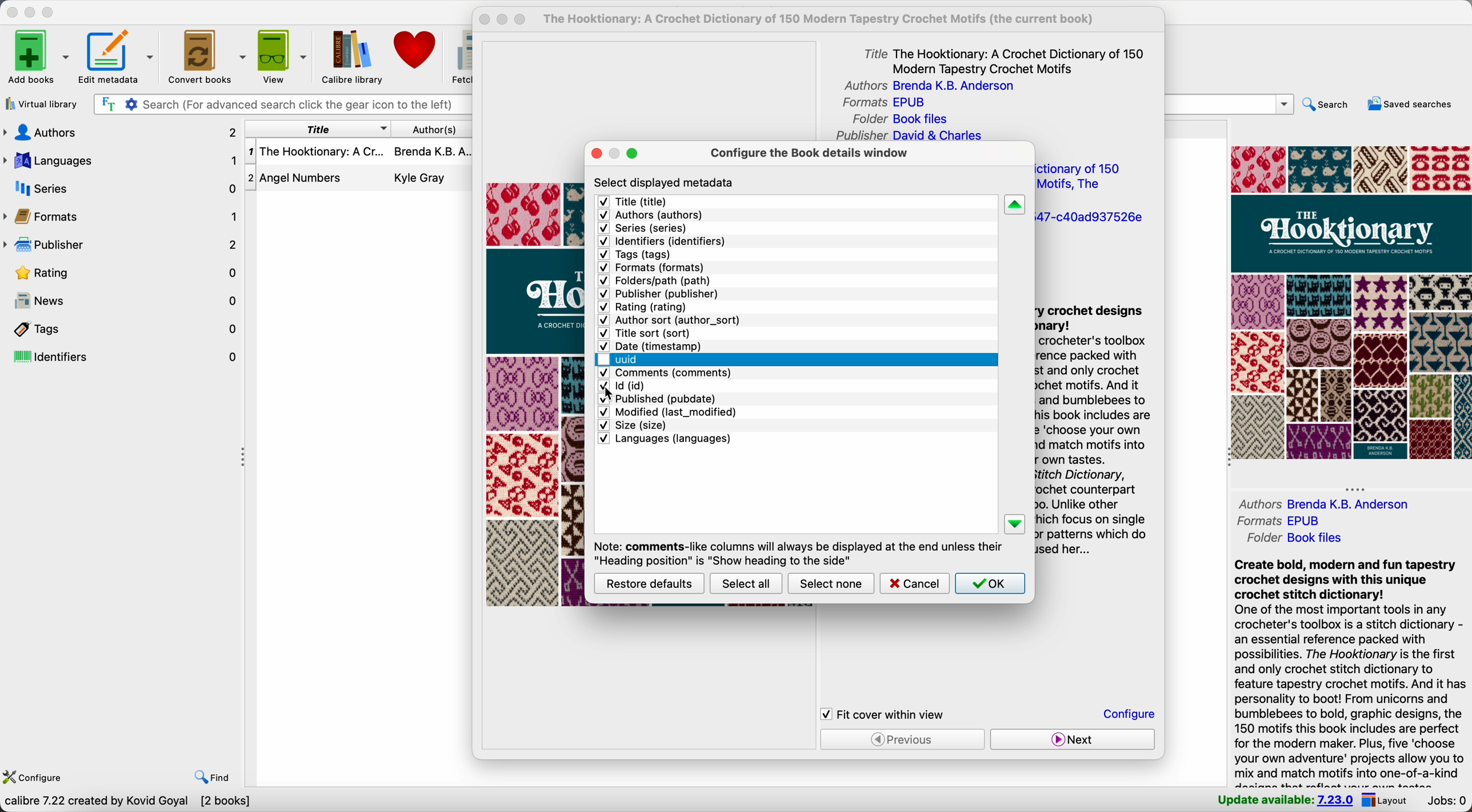 The image size is (1472, 812). Describe the element at coordinates (797, 552) in the screenshot. I see `note` at that location.